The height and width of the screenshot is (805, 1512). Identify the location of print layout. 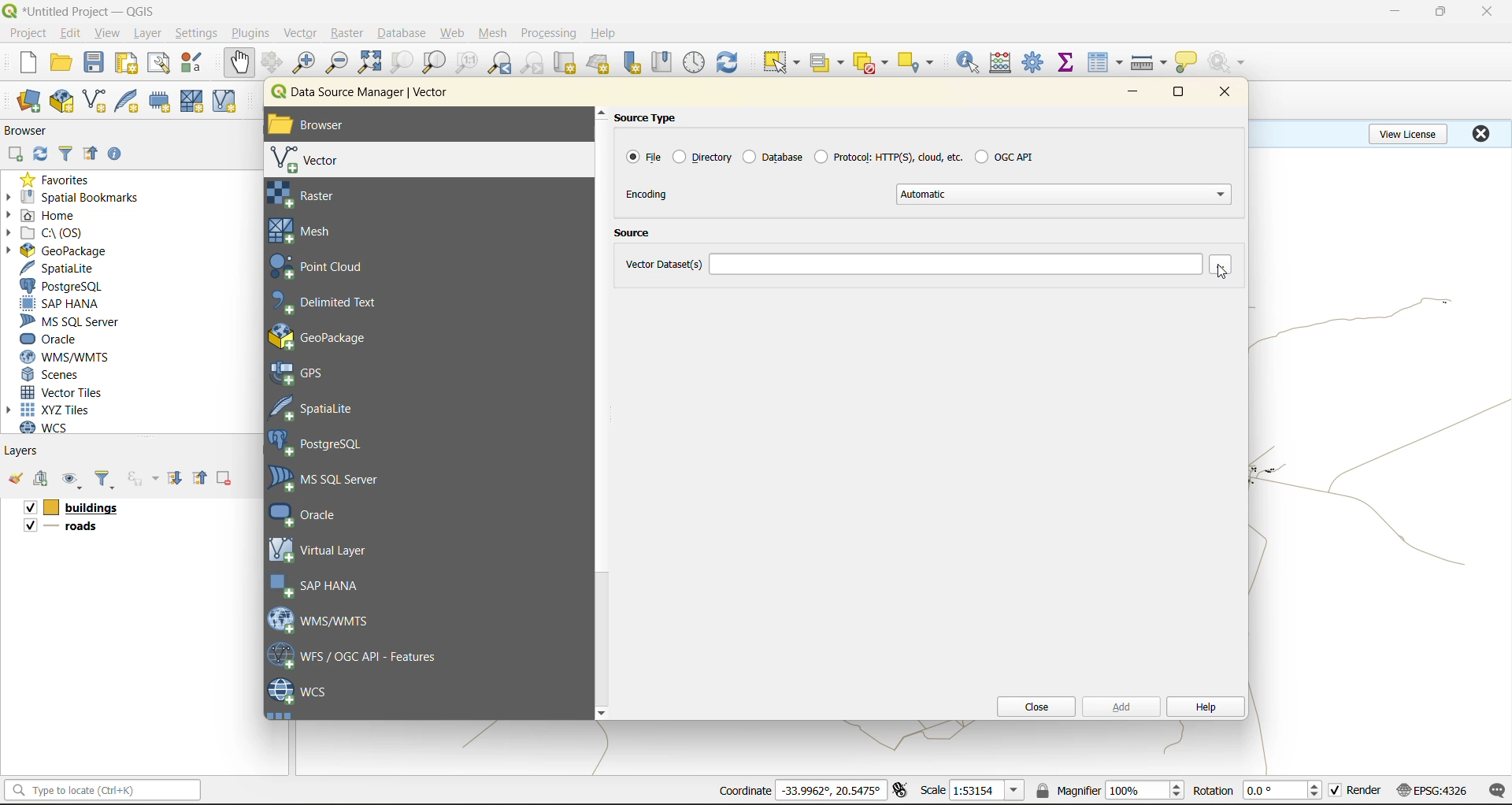
(130, 65).